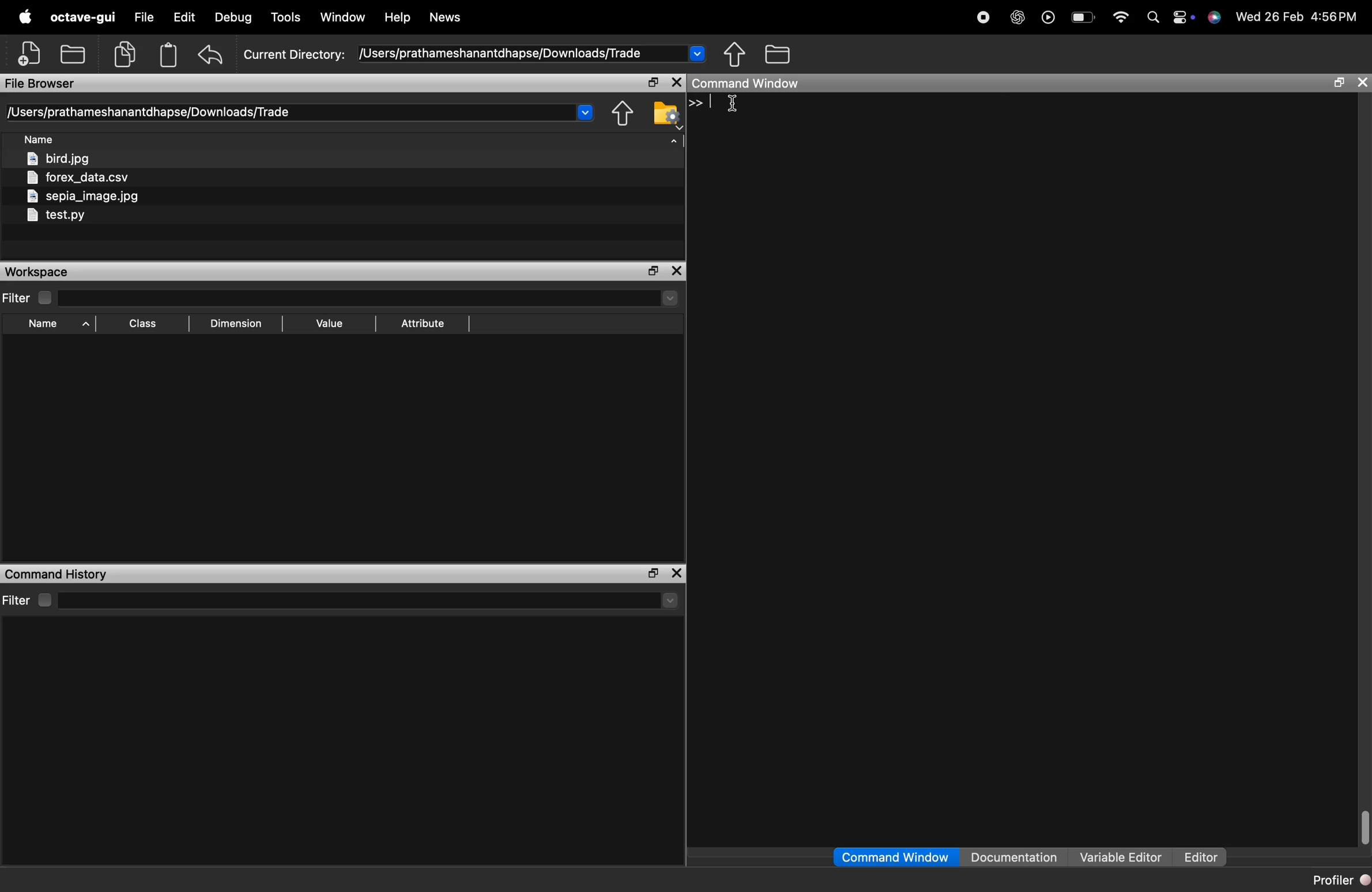  What do you see at coordinates (144, 17) in the screenshot?
I see `file` at bounding box center [144, 17].